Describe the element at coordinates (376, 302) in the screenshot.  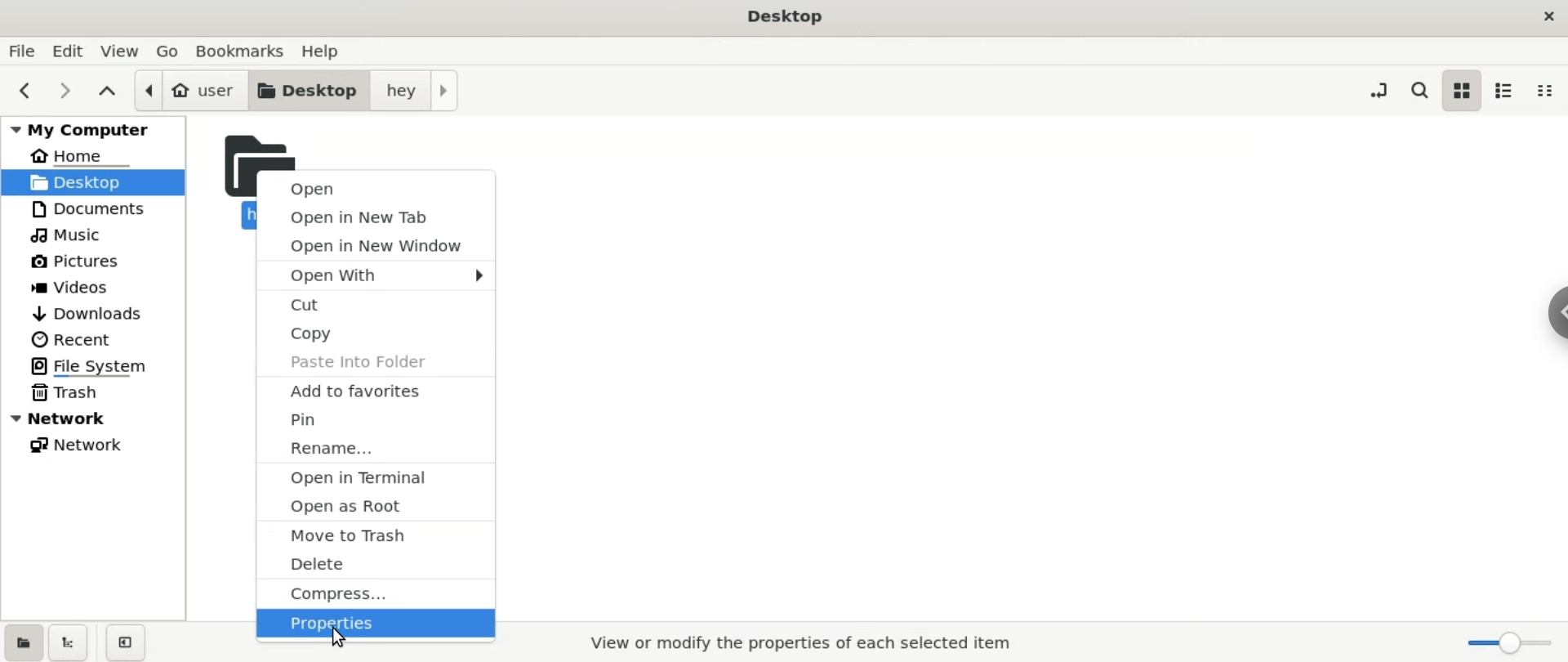
I see `cut` at that location.